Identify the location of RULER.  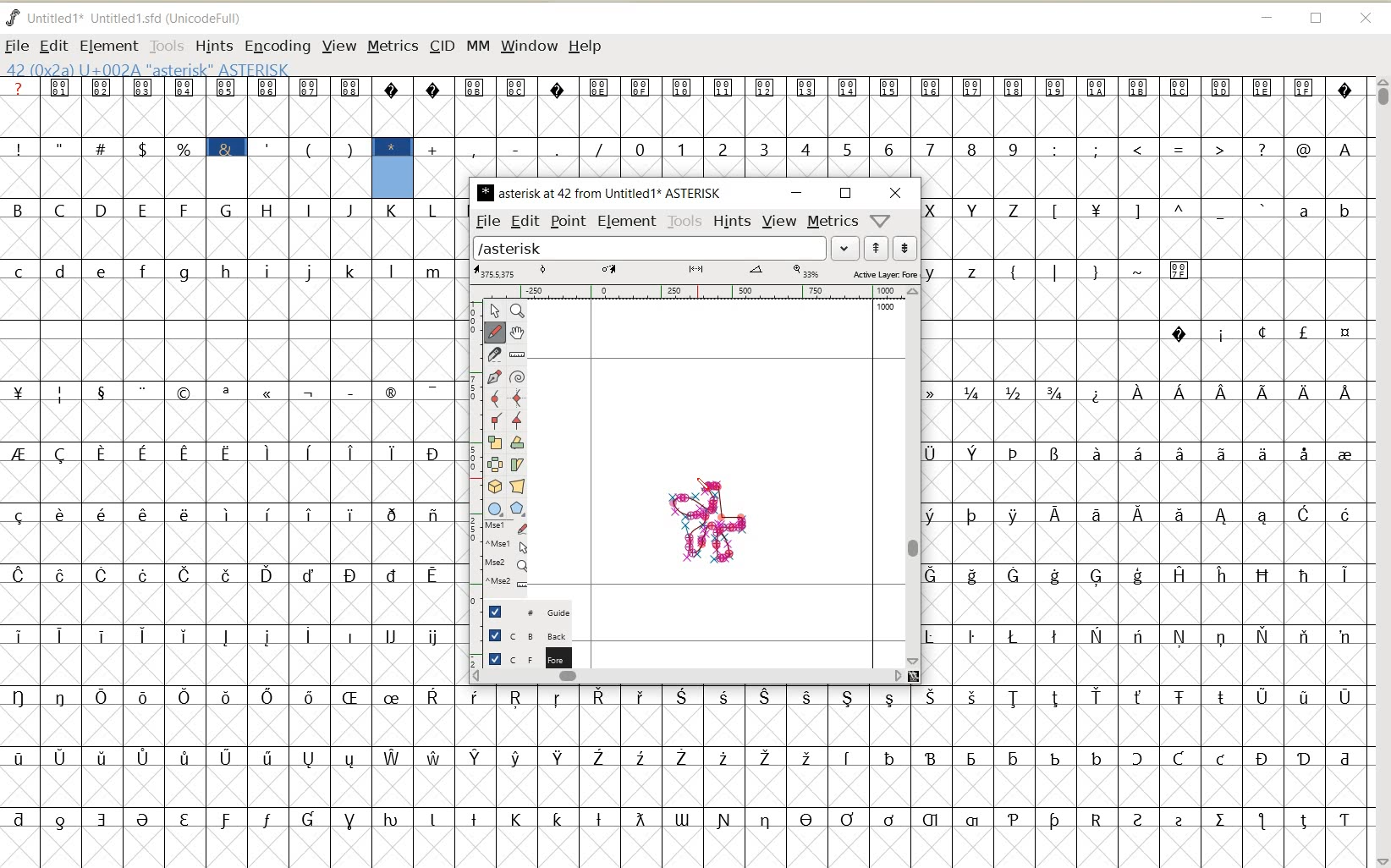
(688, 291).